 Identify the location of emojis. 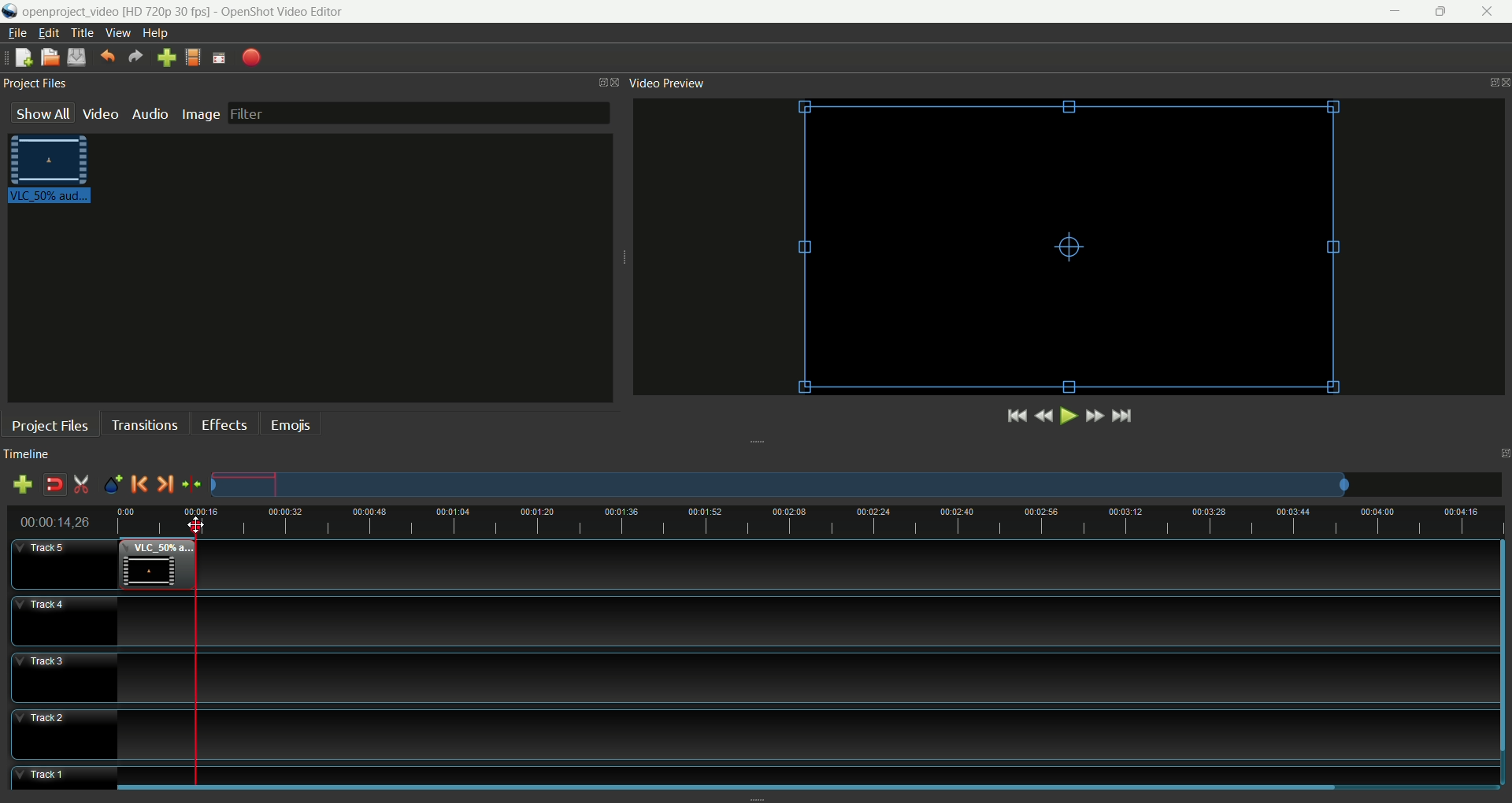
(291, 424).